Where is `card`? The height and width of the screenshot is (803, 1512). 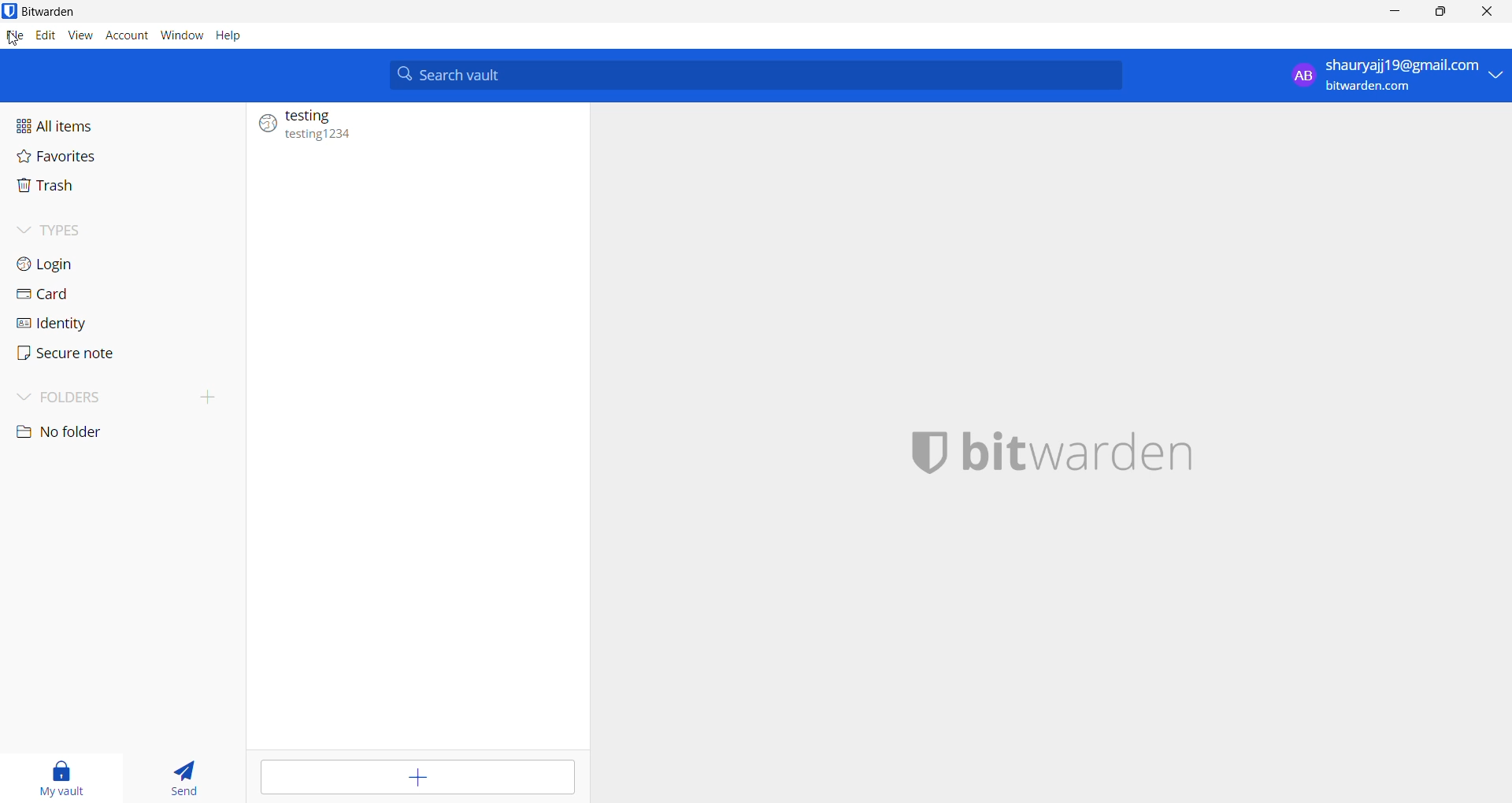
card is located at coordinates (76, 294).